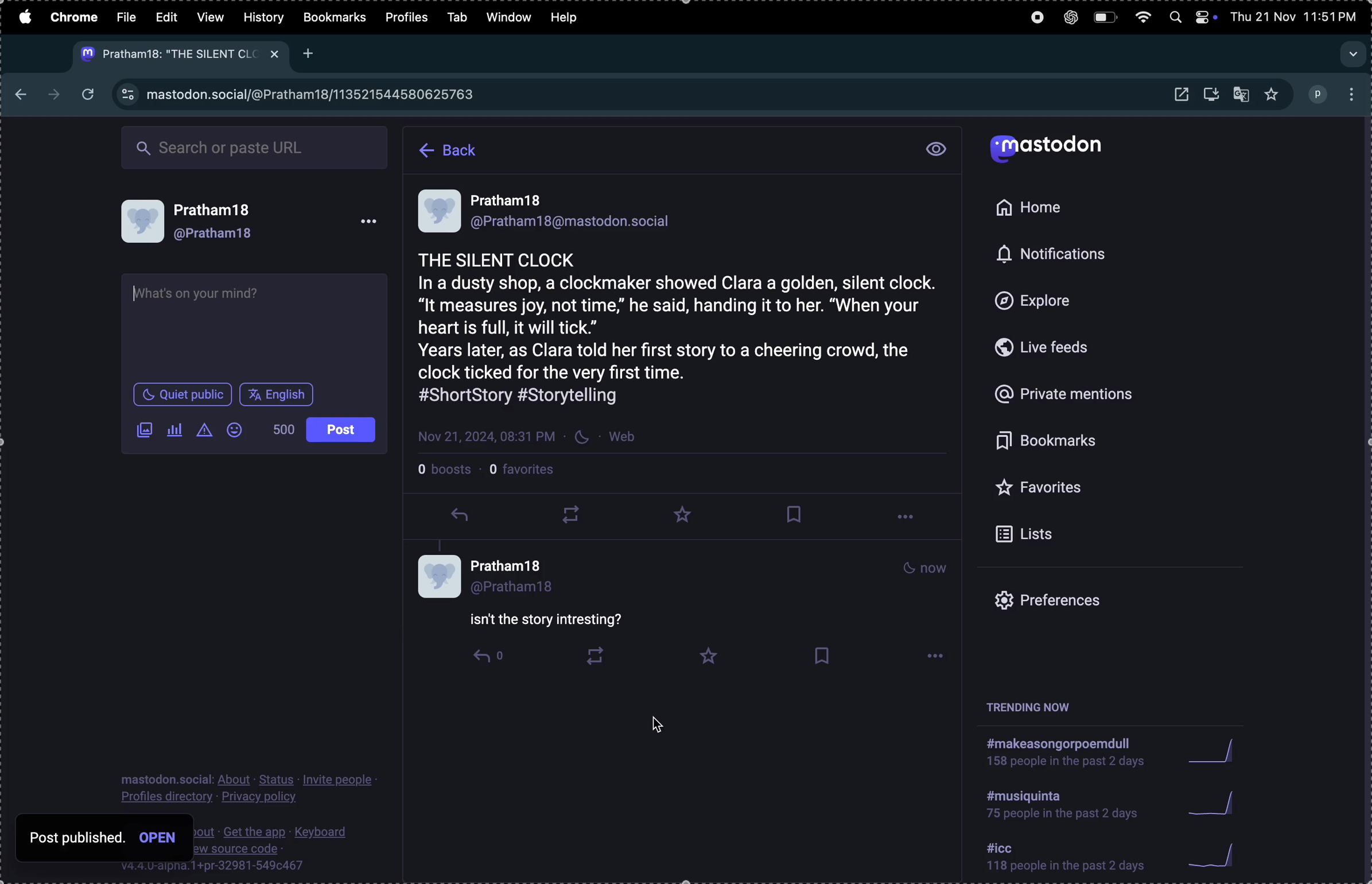 The height and width of the screenshot is (884, 1372). Describe the element at coordinates (910, 519) in the screenshot. I see `options` at that location.